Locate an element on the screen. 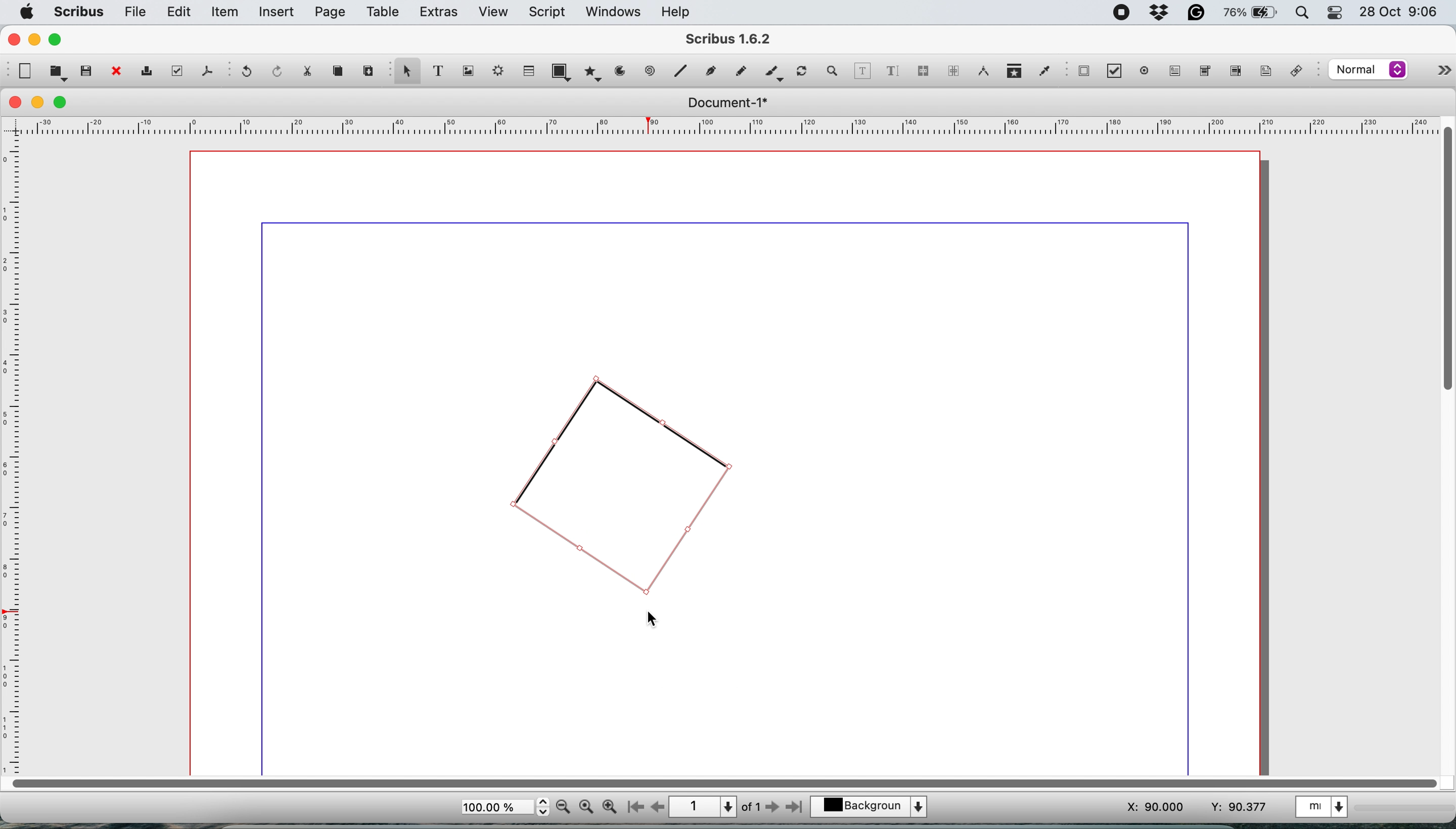 This screenshot has height=829, width=1456. select item is located at coordinates (407, 75).